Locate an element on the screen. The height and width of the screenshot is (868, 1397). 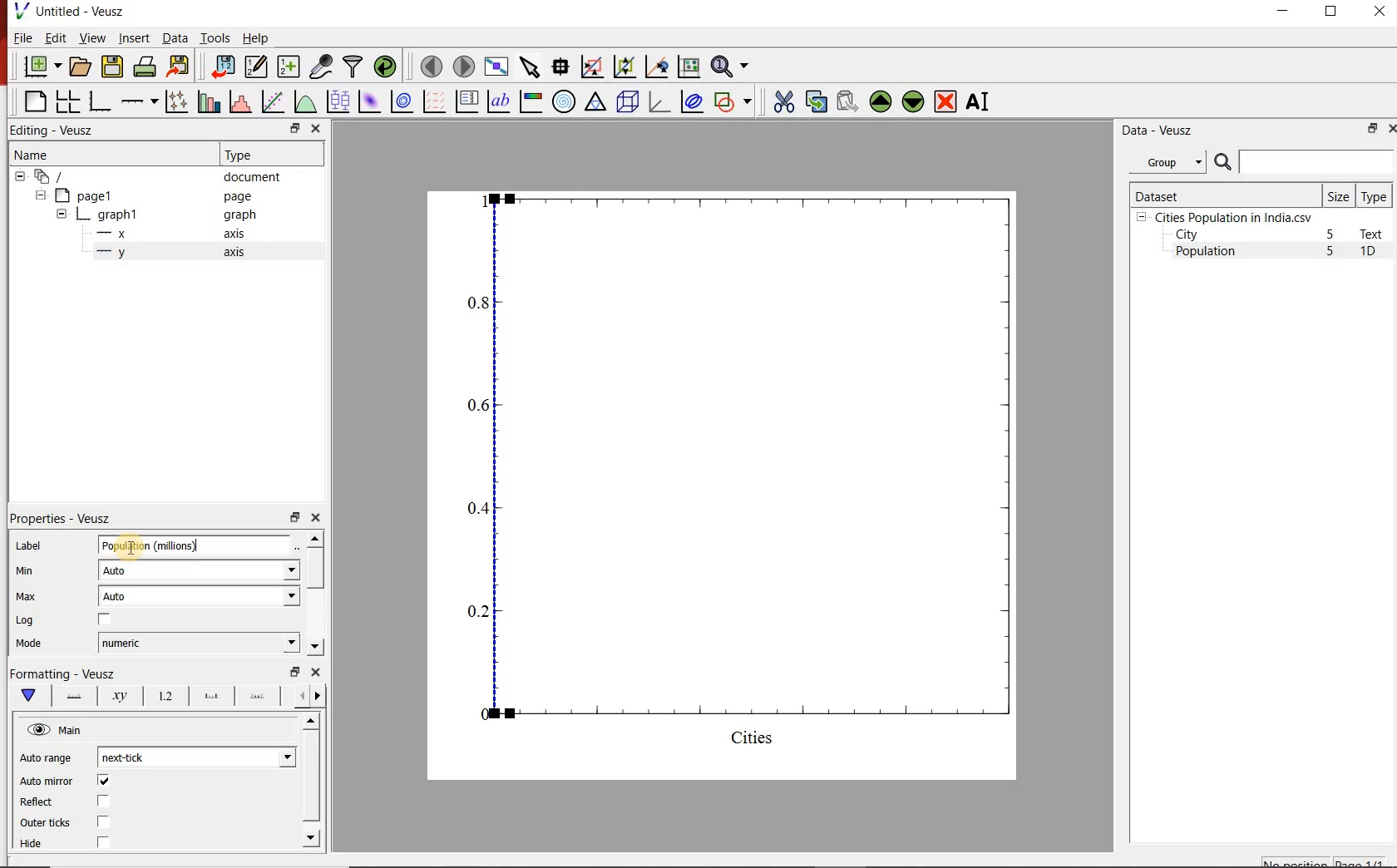
check/uncheck is located at coordinates (104, 801).